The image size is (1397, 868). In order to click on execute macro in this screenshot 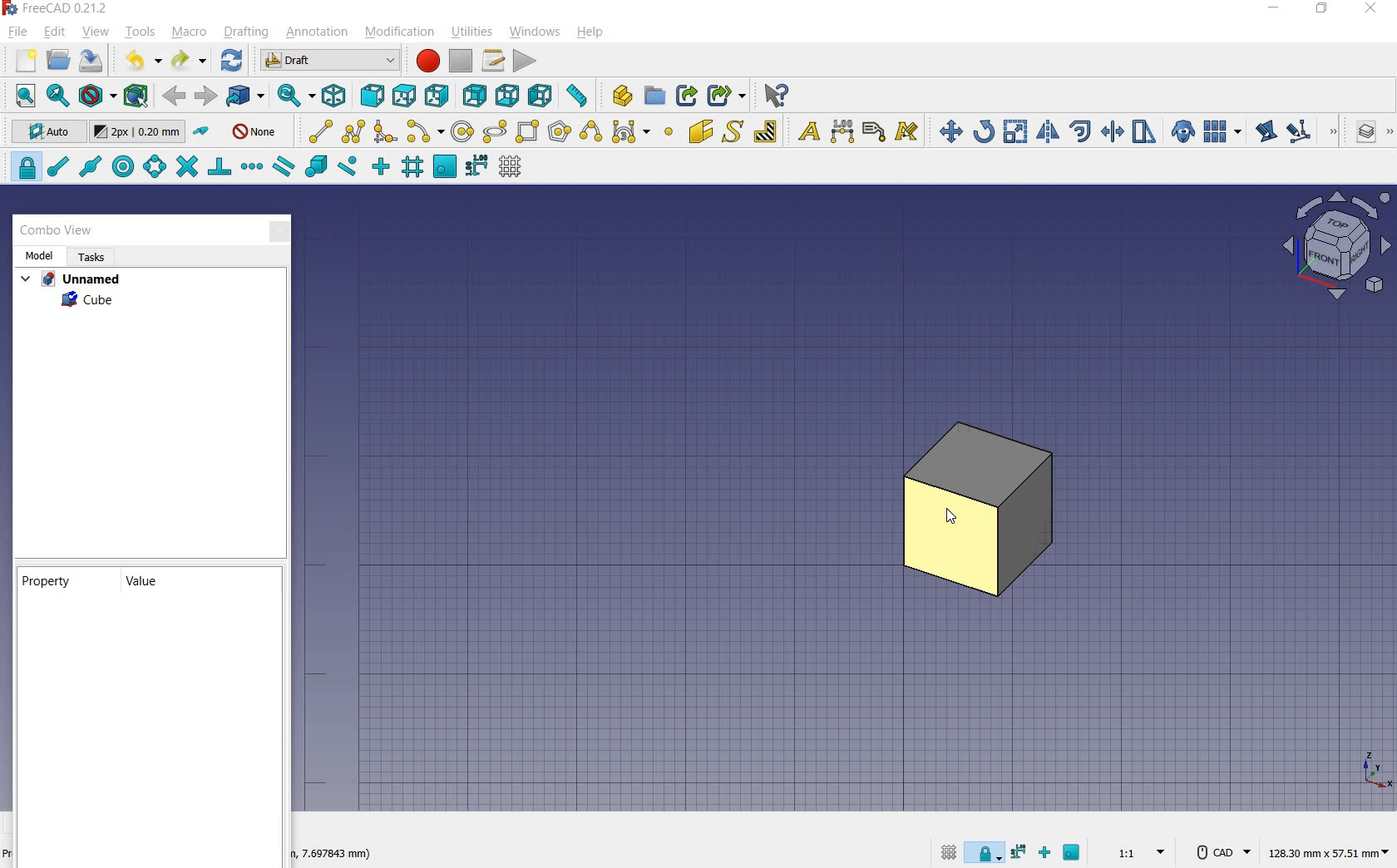, I will do `click(524, 62)`.